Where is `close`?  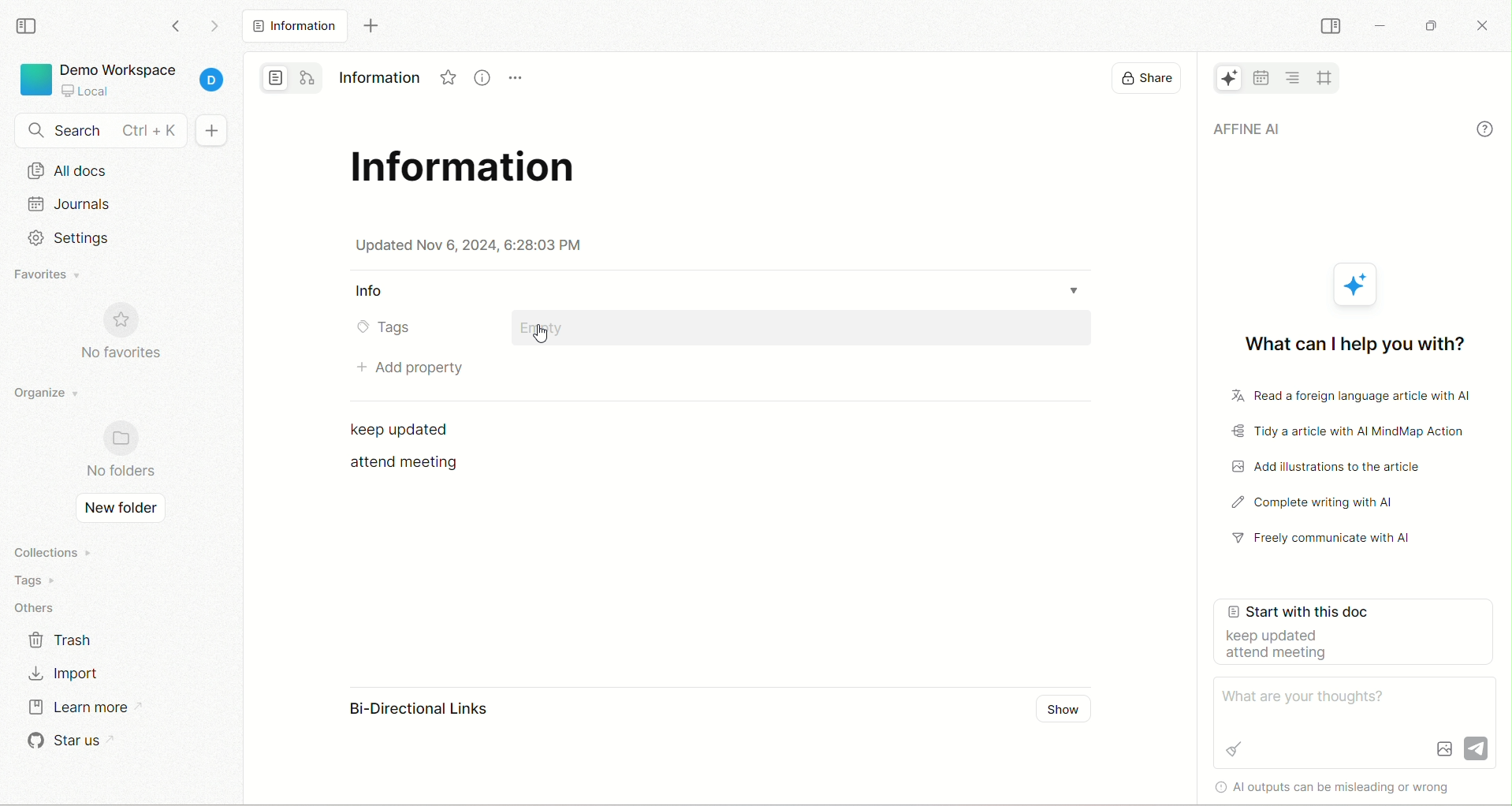
close is located at coordinates (1484, 28).